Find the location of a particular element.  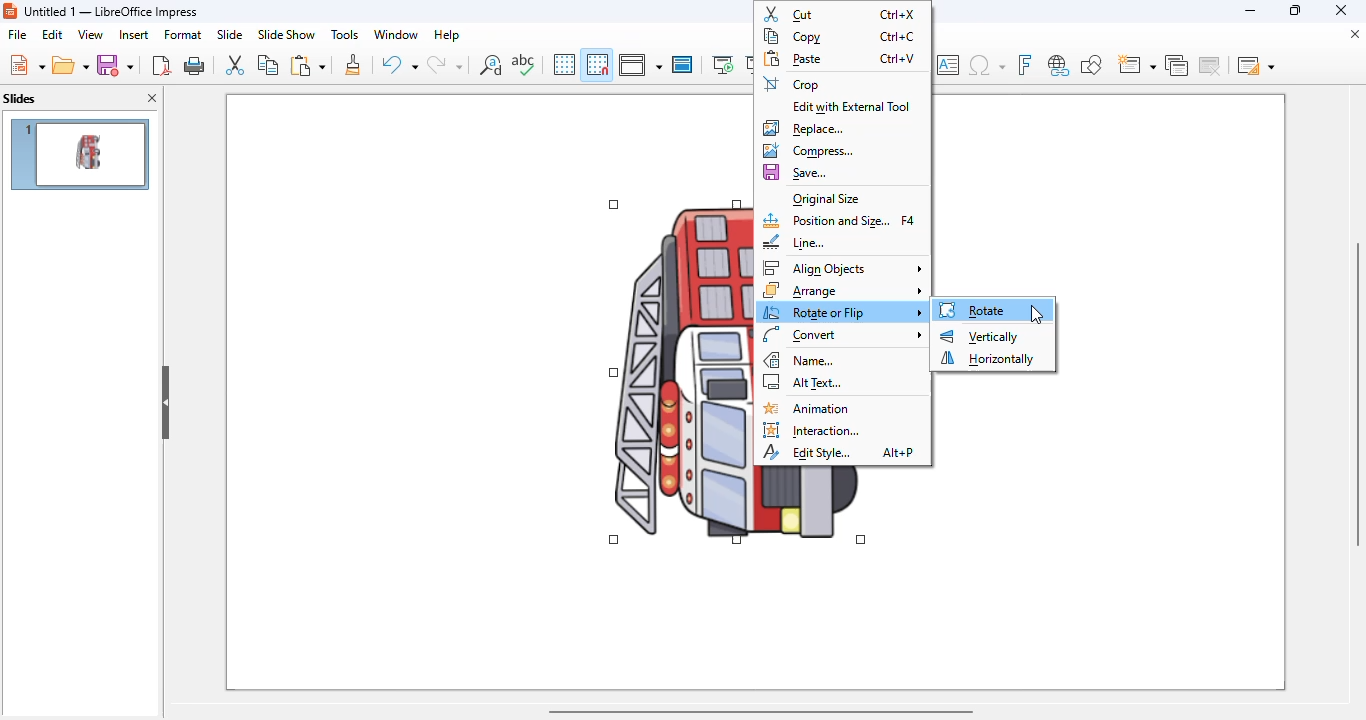

edit style is located at coordinates (839, 453).